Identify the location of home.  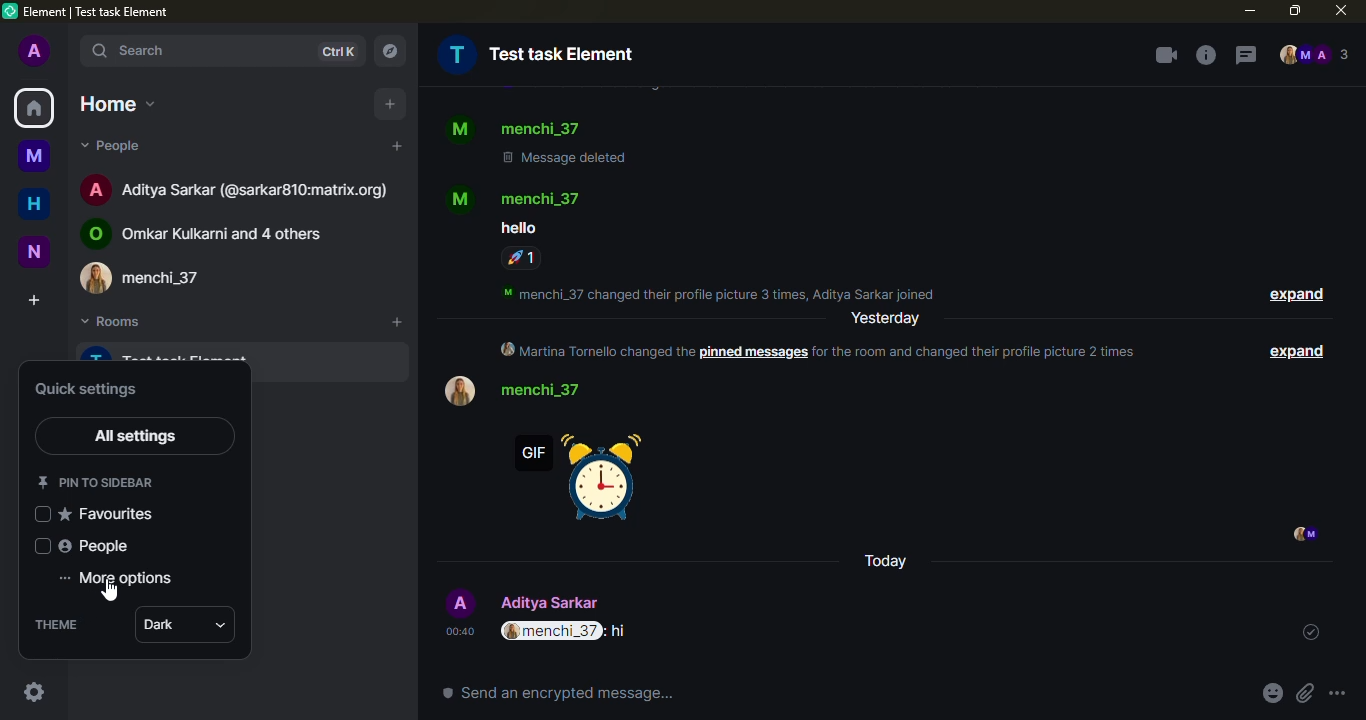
(35, 201).